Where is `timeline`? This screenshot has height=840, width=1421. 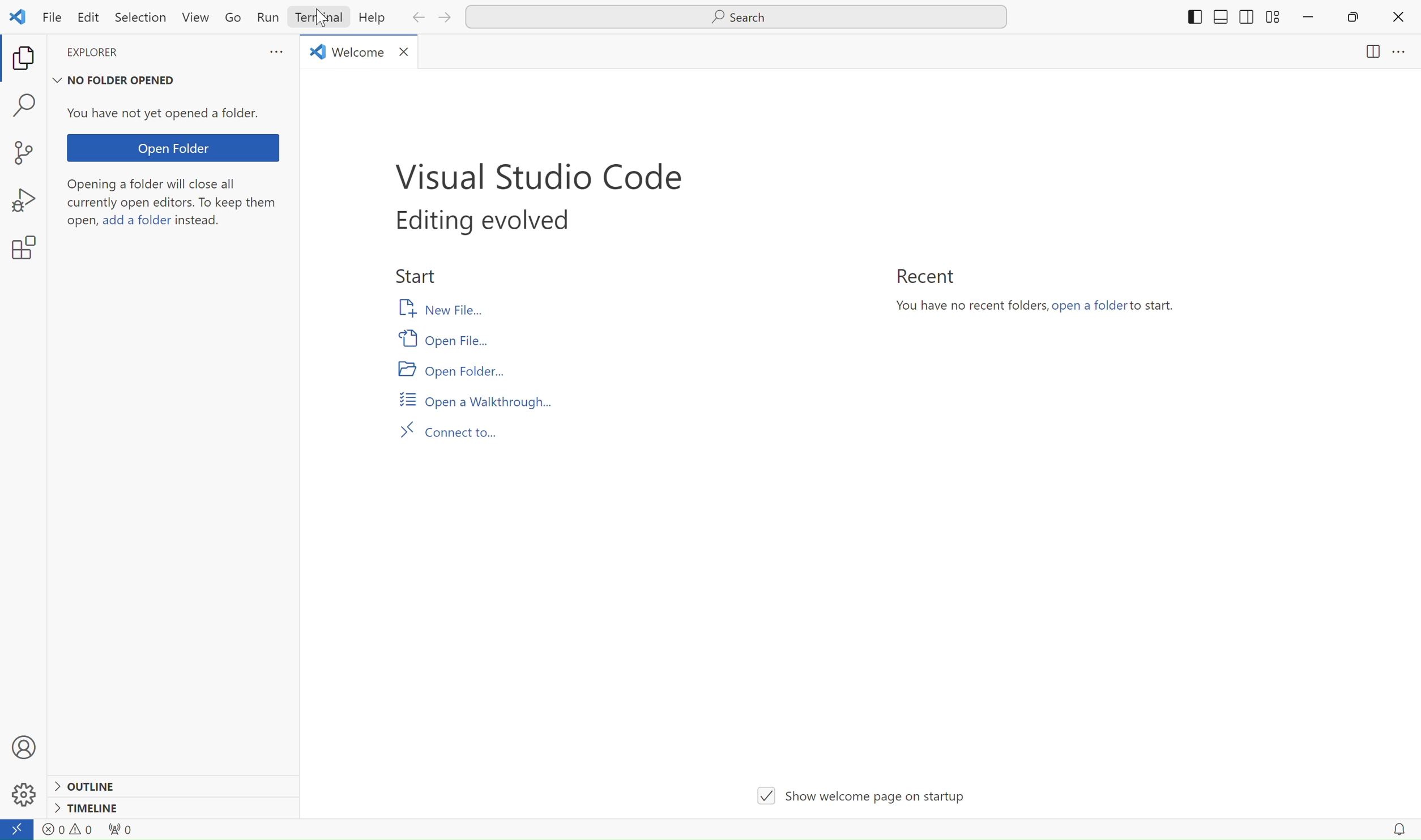 timeline is located at coordinates (95, 808).